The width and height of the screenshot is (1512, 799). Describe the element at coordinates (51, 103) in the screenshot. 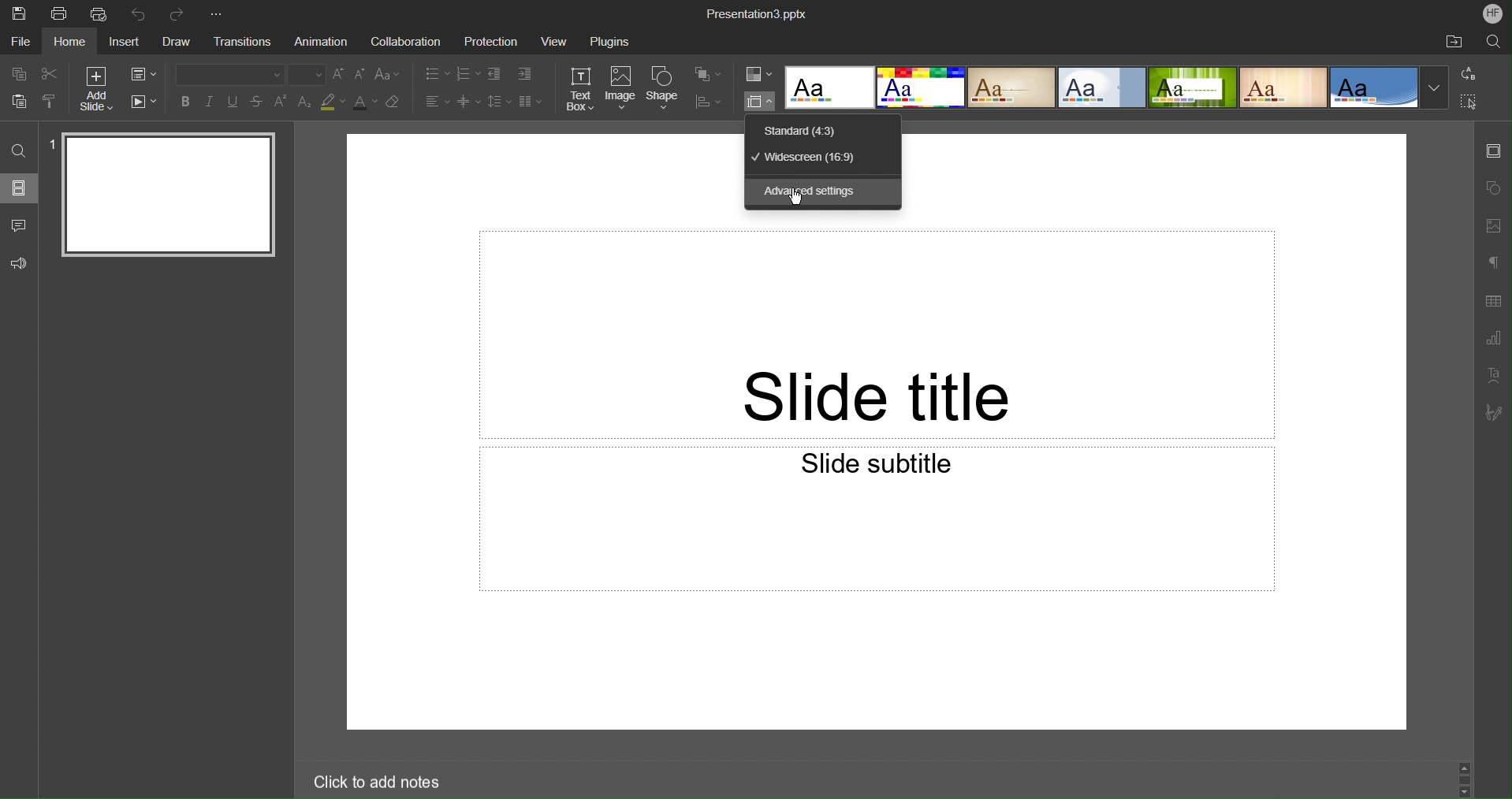

I see `Copy Style` at that location.